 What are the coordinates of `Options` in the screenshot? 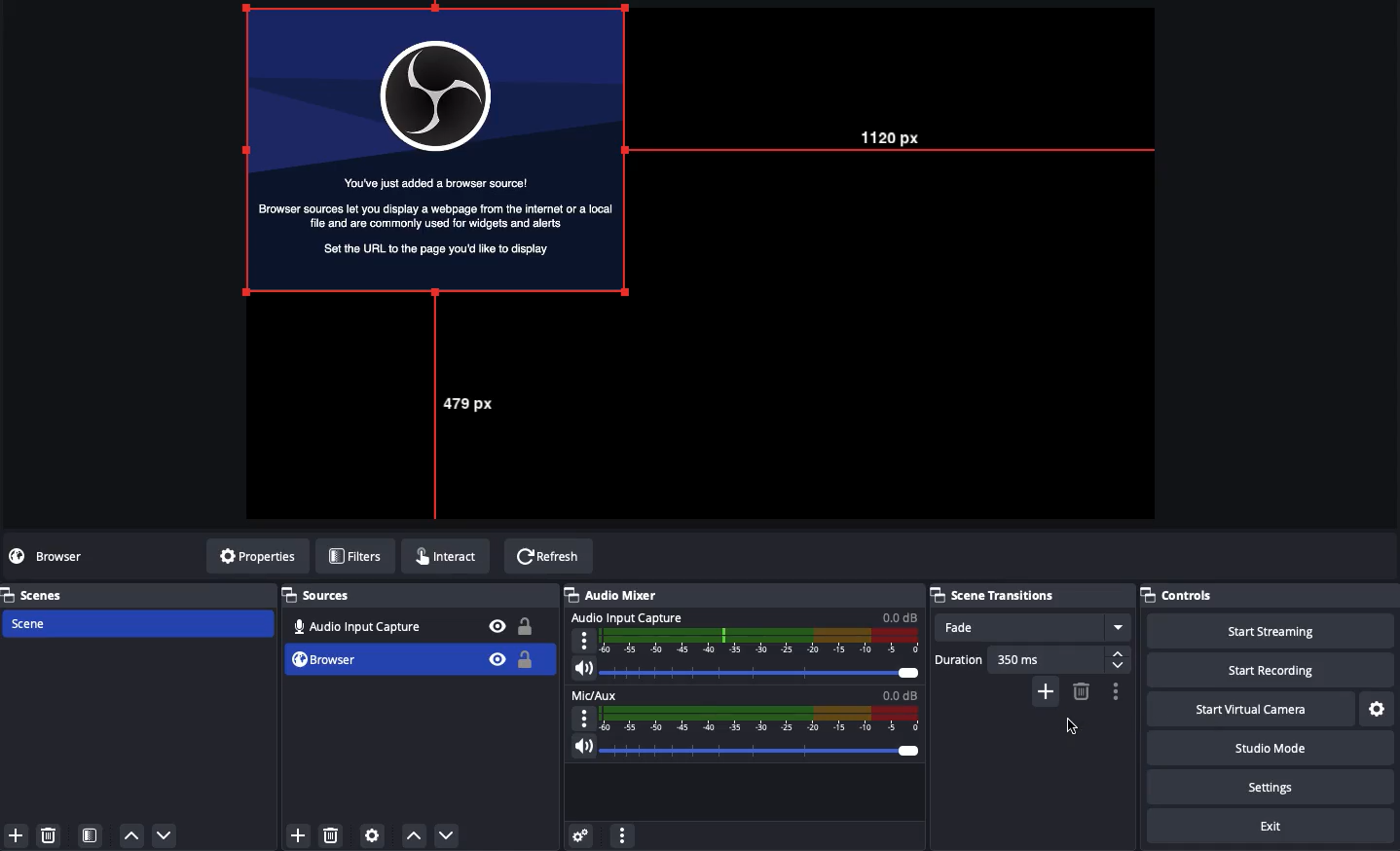 It's located at (1117, 691).